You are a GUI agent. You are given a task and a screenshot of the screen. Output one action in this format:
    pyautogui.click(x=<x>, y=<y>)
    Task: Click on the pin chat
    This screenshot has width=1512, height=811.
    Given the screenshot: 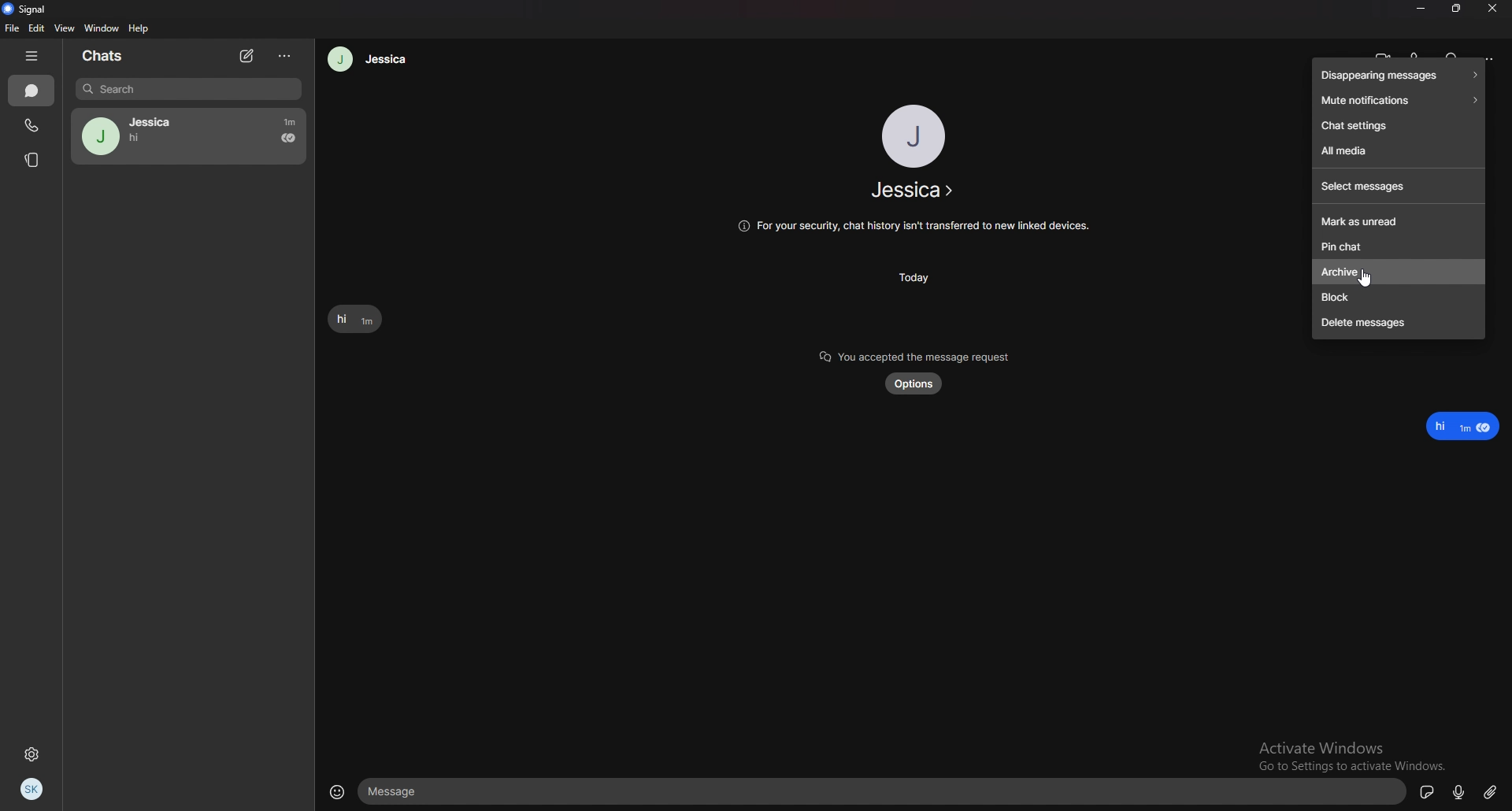 What is the action you would take?
    pyautogui.click(x=1395, y=245)
    